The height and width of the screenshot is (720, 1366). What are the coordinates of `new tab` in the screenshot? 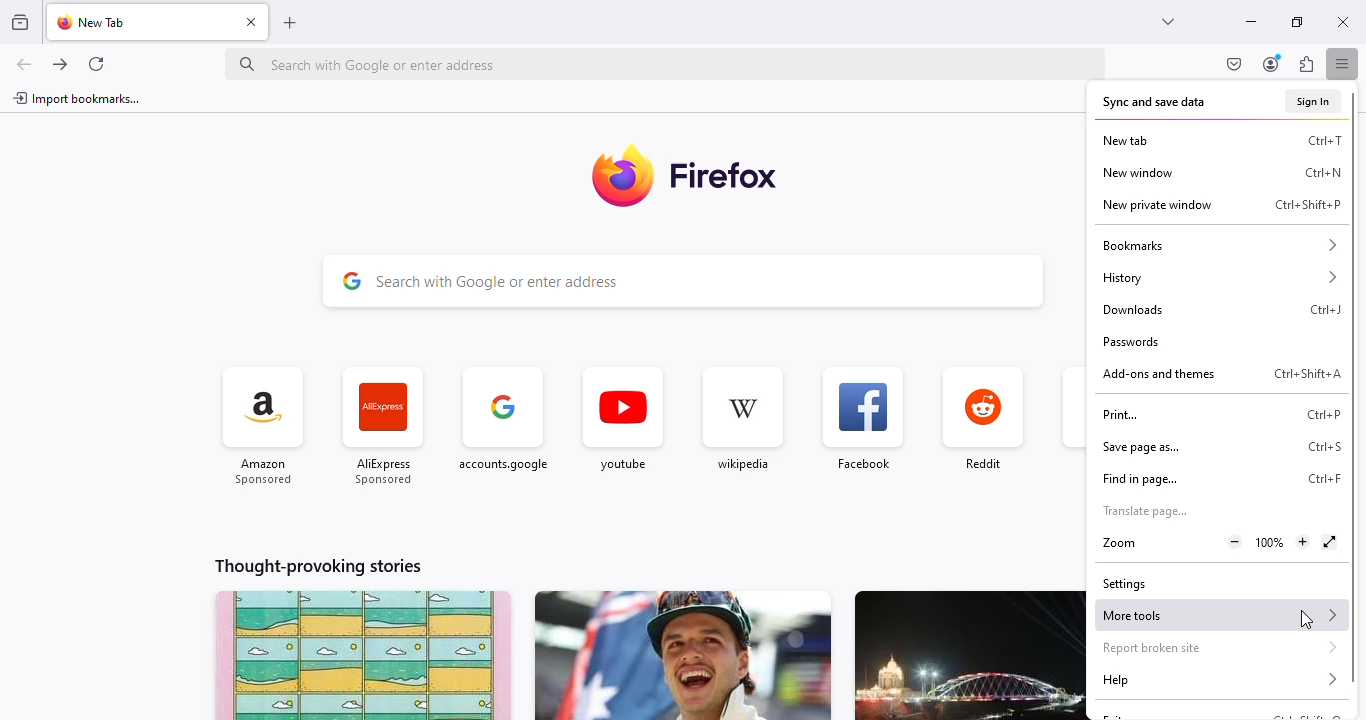 It's located at (1124, 140).